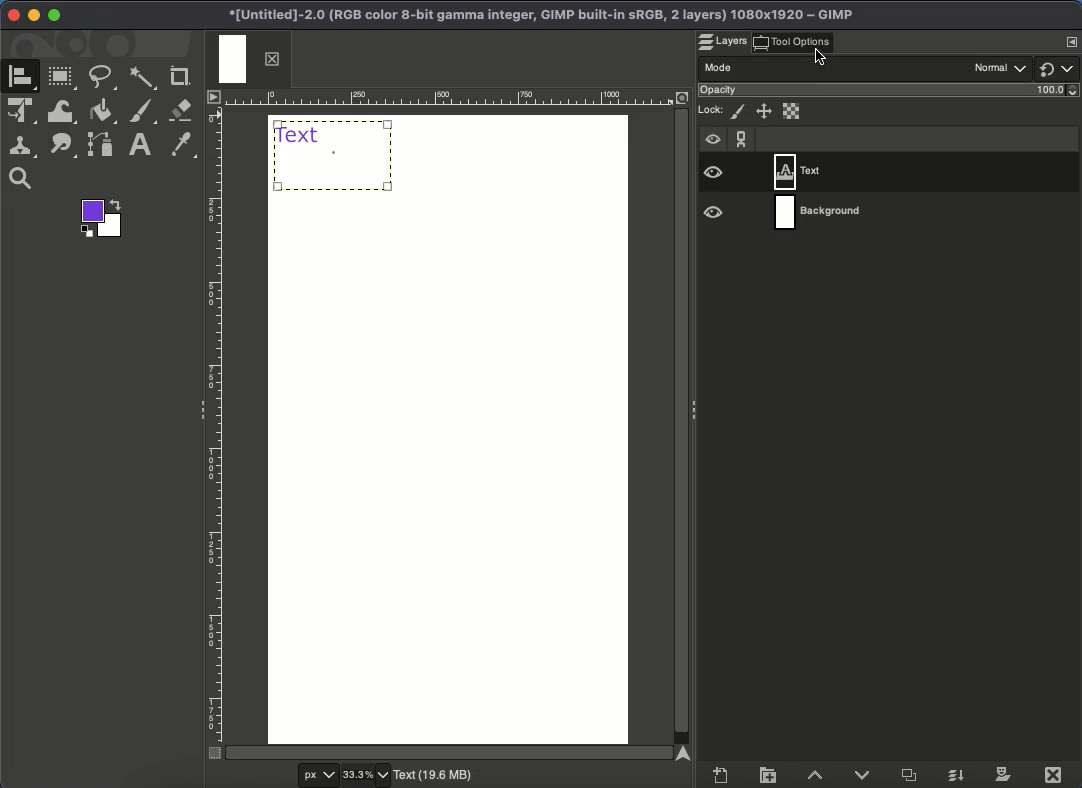 This screenshot has width=1082, height=788. What do you see at coordinates (247, 60) in the screenshot?
I see `Tab` at bounding box center [247, 60].